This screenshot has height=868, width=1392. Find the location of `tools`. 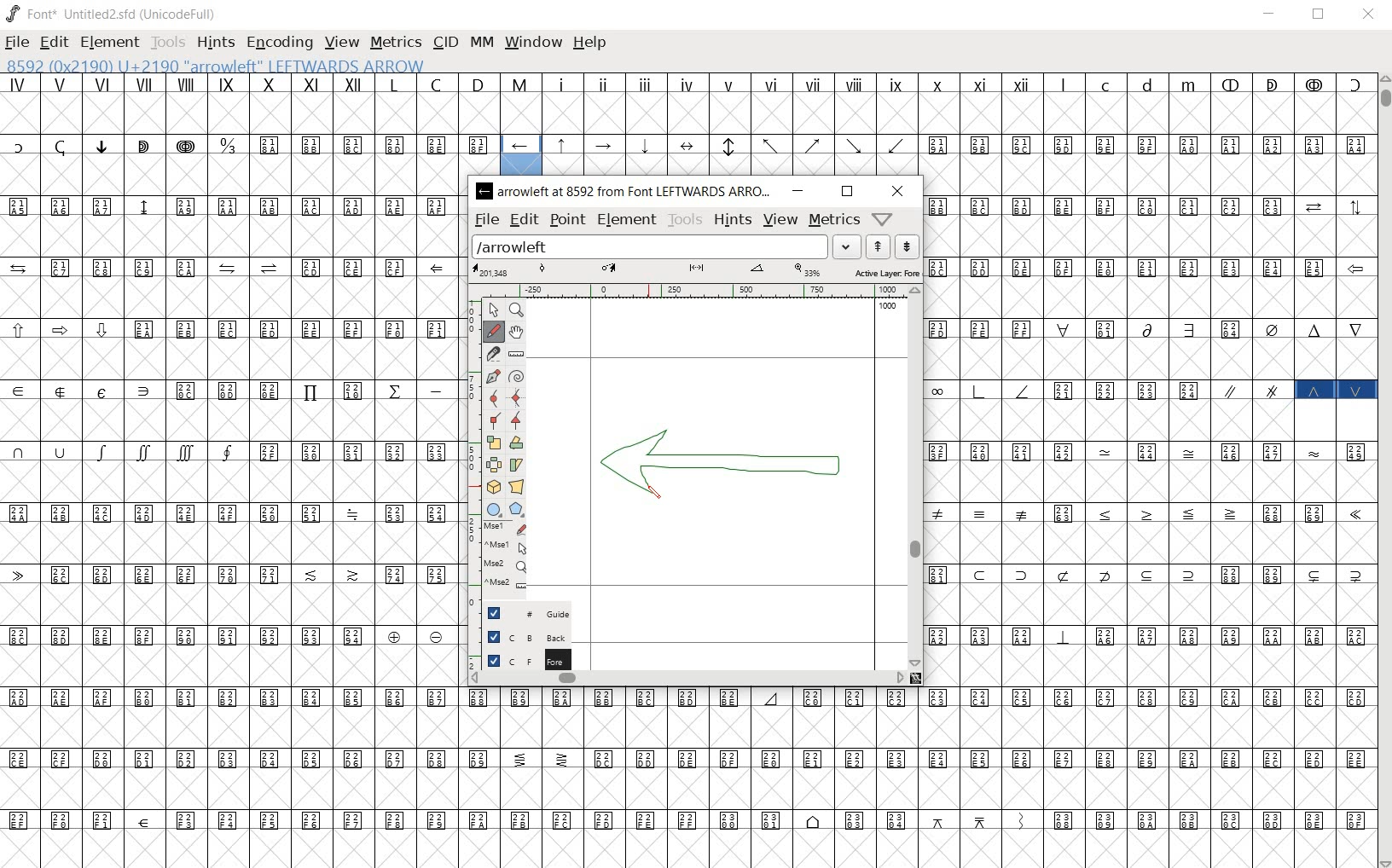

tools is located at coordinates (684, 219).